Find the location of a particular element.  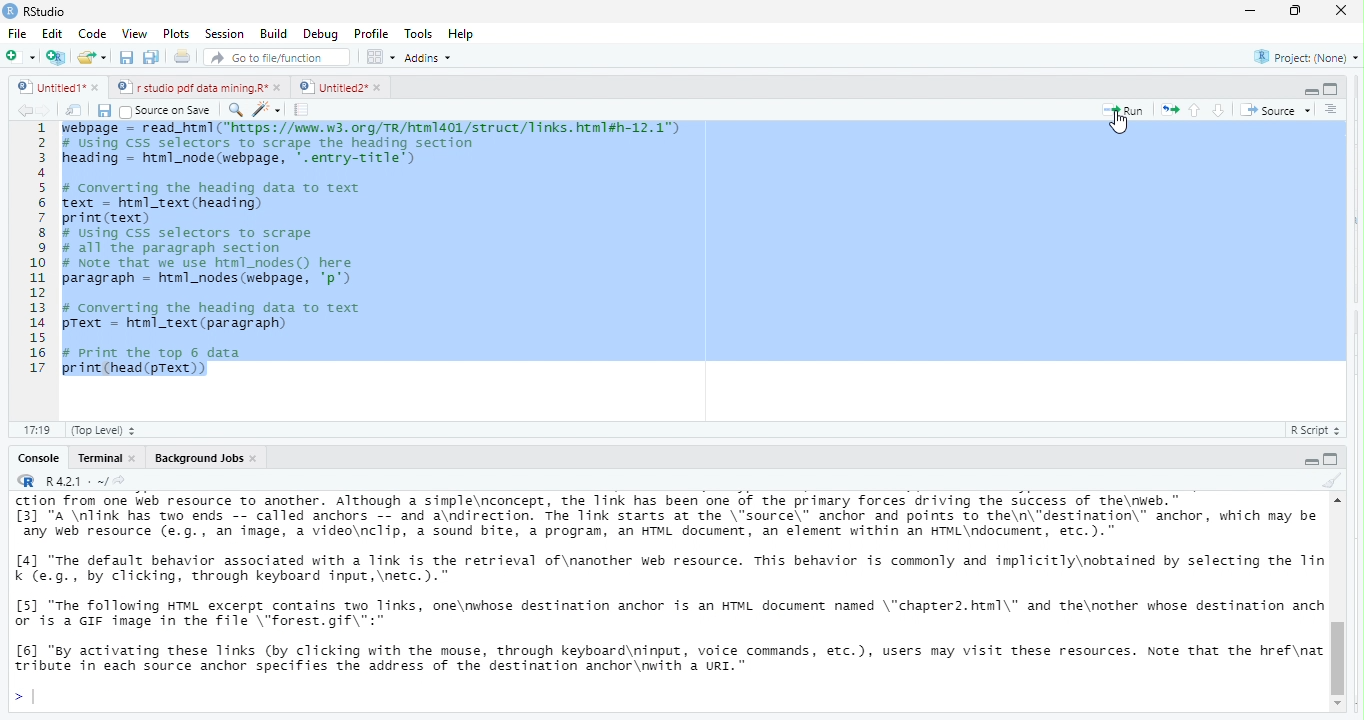

rs studio logo is located at coordinates (29, 481).